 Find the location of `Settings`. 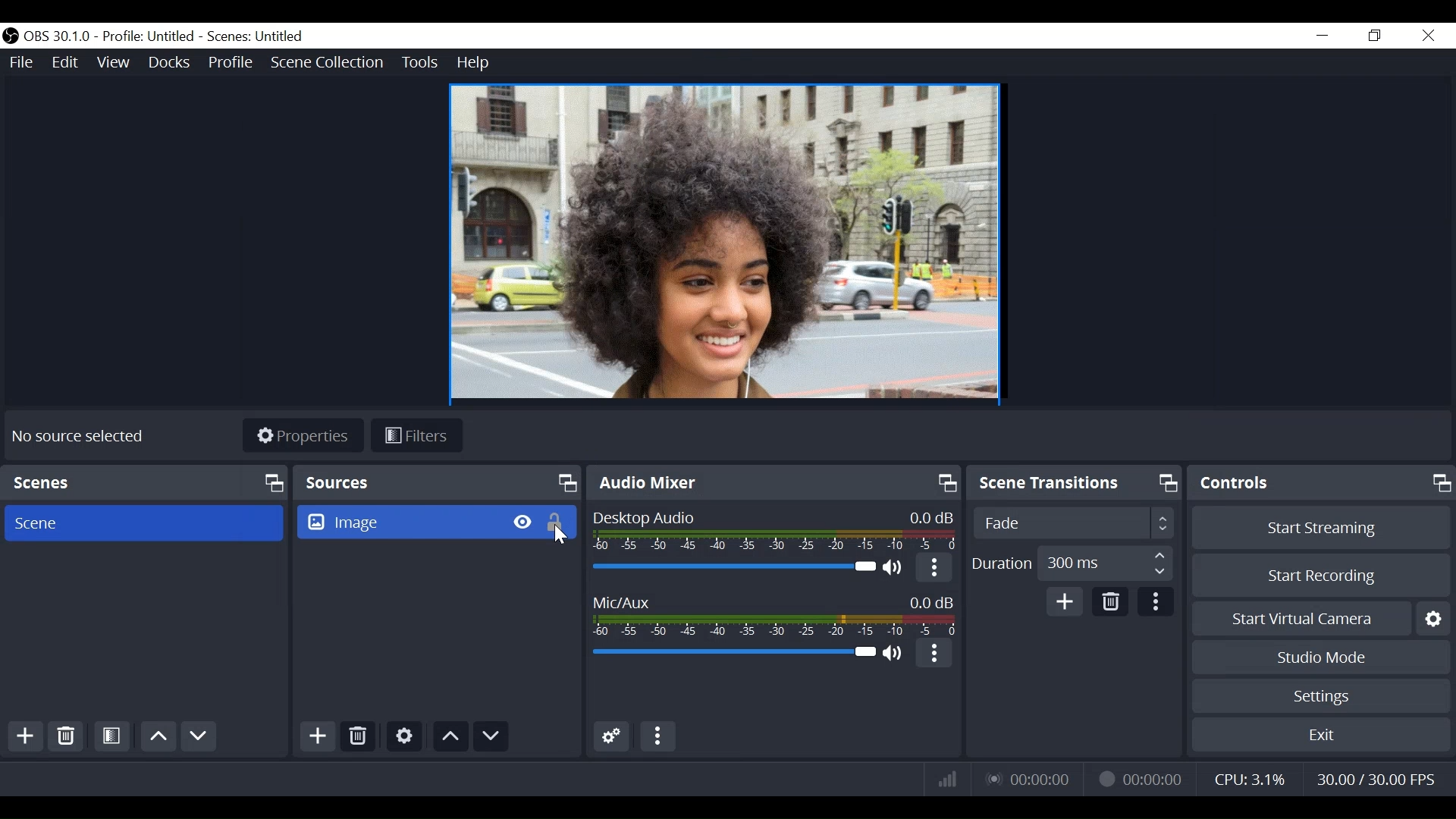

Settings is located at coordinates (404, 736).